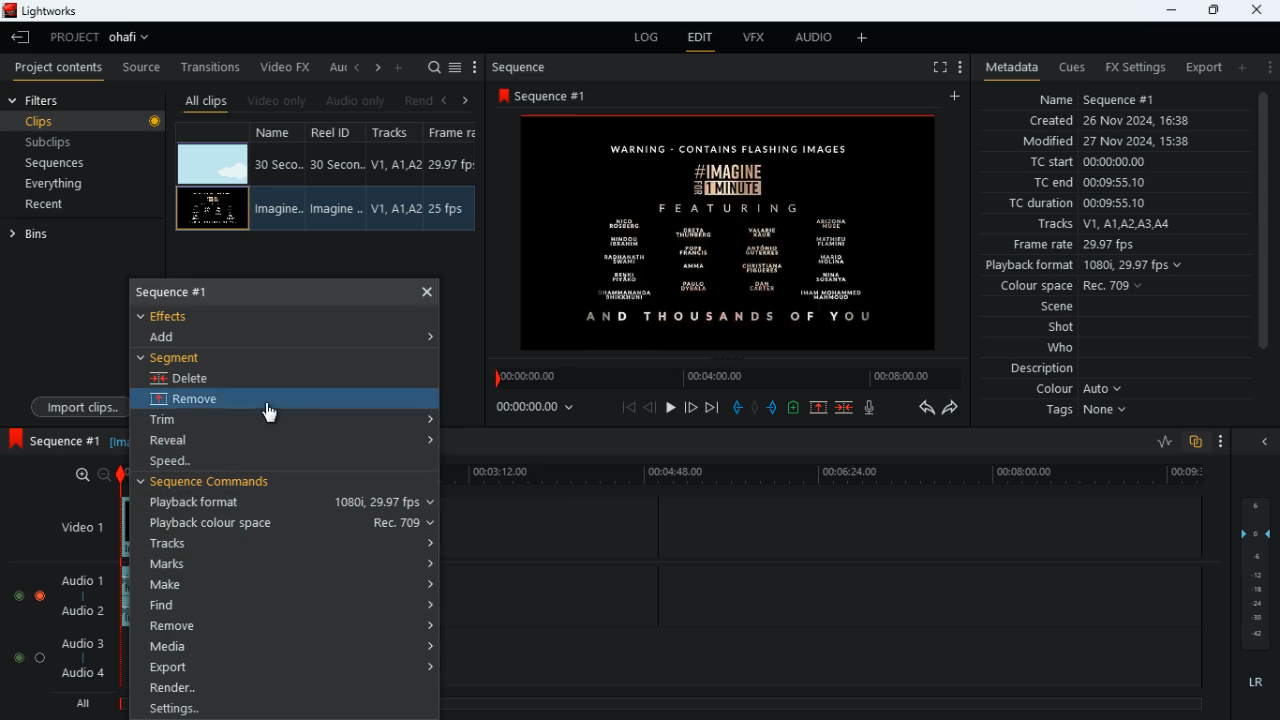 The height and width of the screenshot is (720, 1280). I want to click on segment, so click(186, 357).